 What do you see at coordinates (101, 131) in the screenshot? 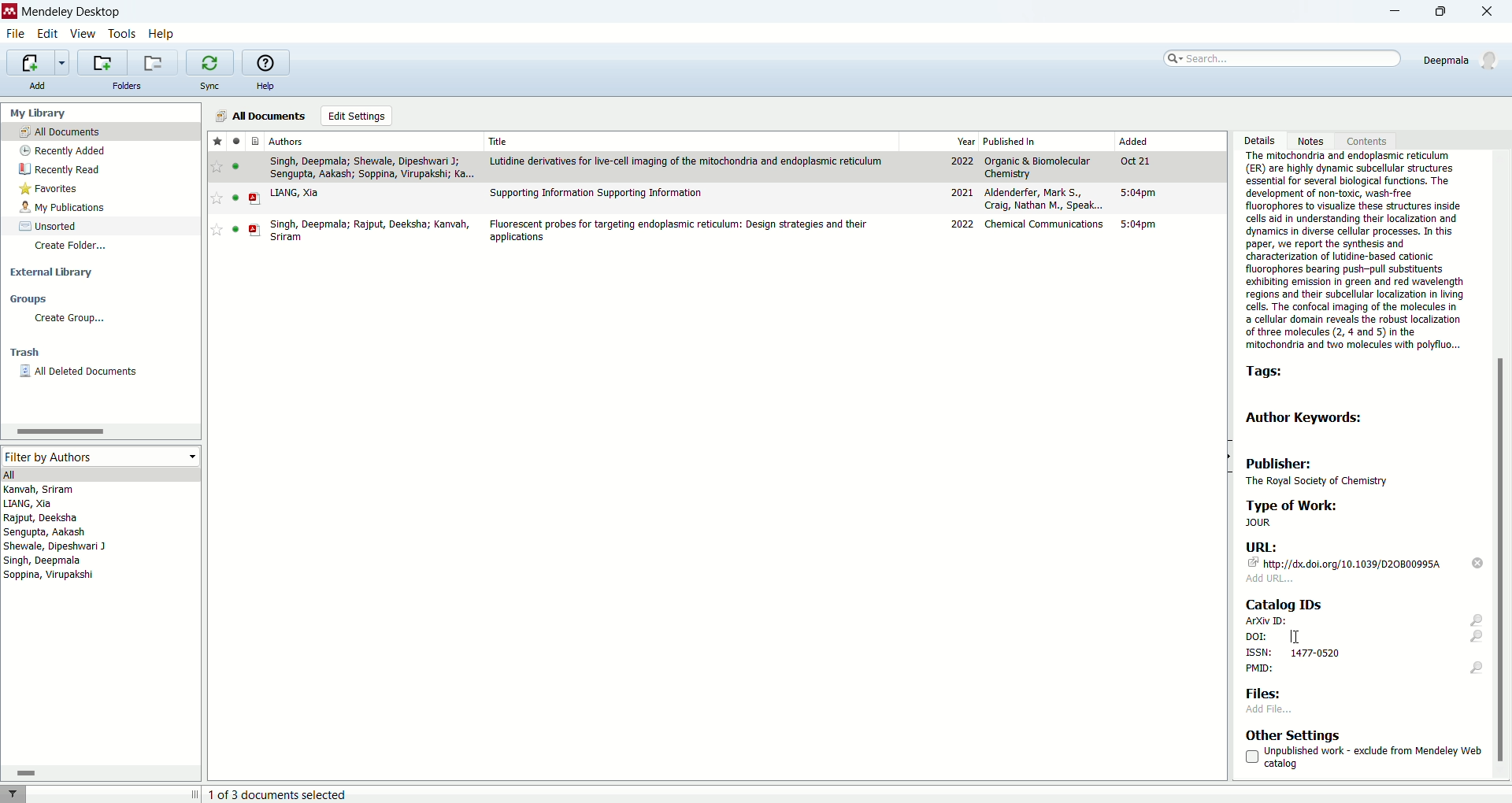
I see `all documents` at bounding box center [101, 131].